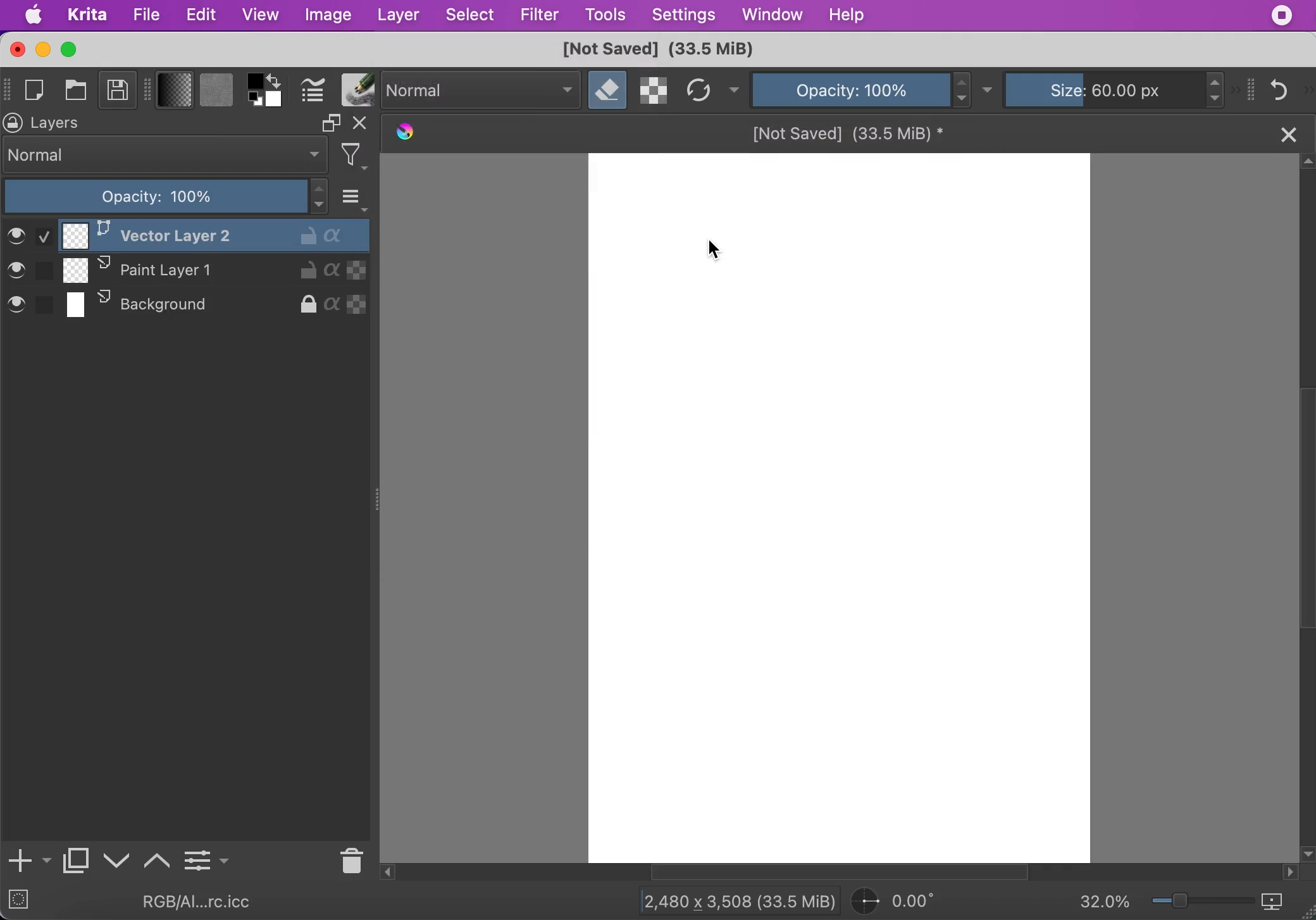  What do you see at coordinates (699, 90) in the screenshot?
I see `reload original preset` at bounding box center [699, 90].